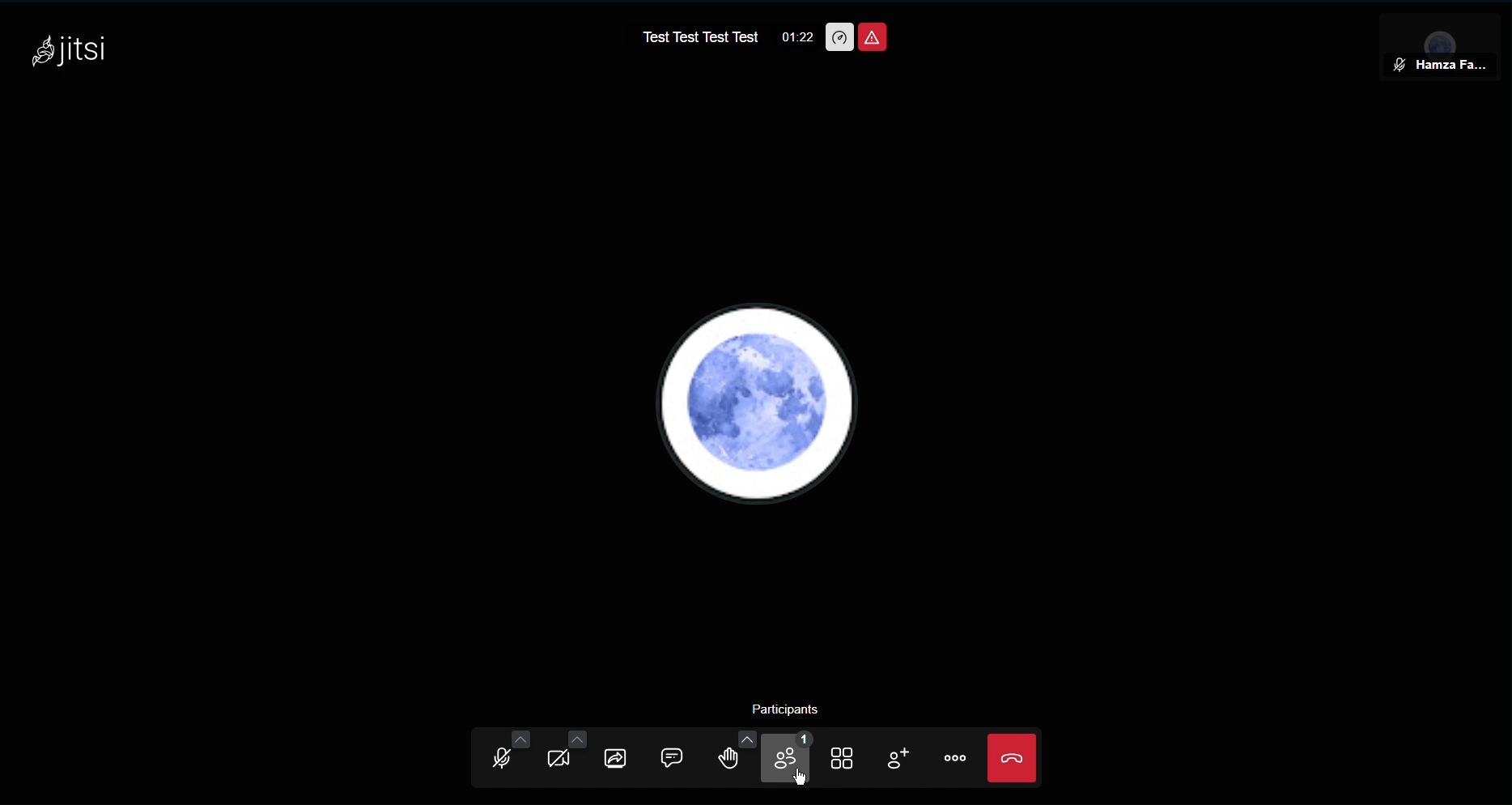  I want to click on Share screen, so click(618, 757).